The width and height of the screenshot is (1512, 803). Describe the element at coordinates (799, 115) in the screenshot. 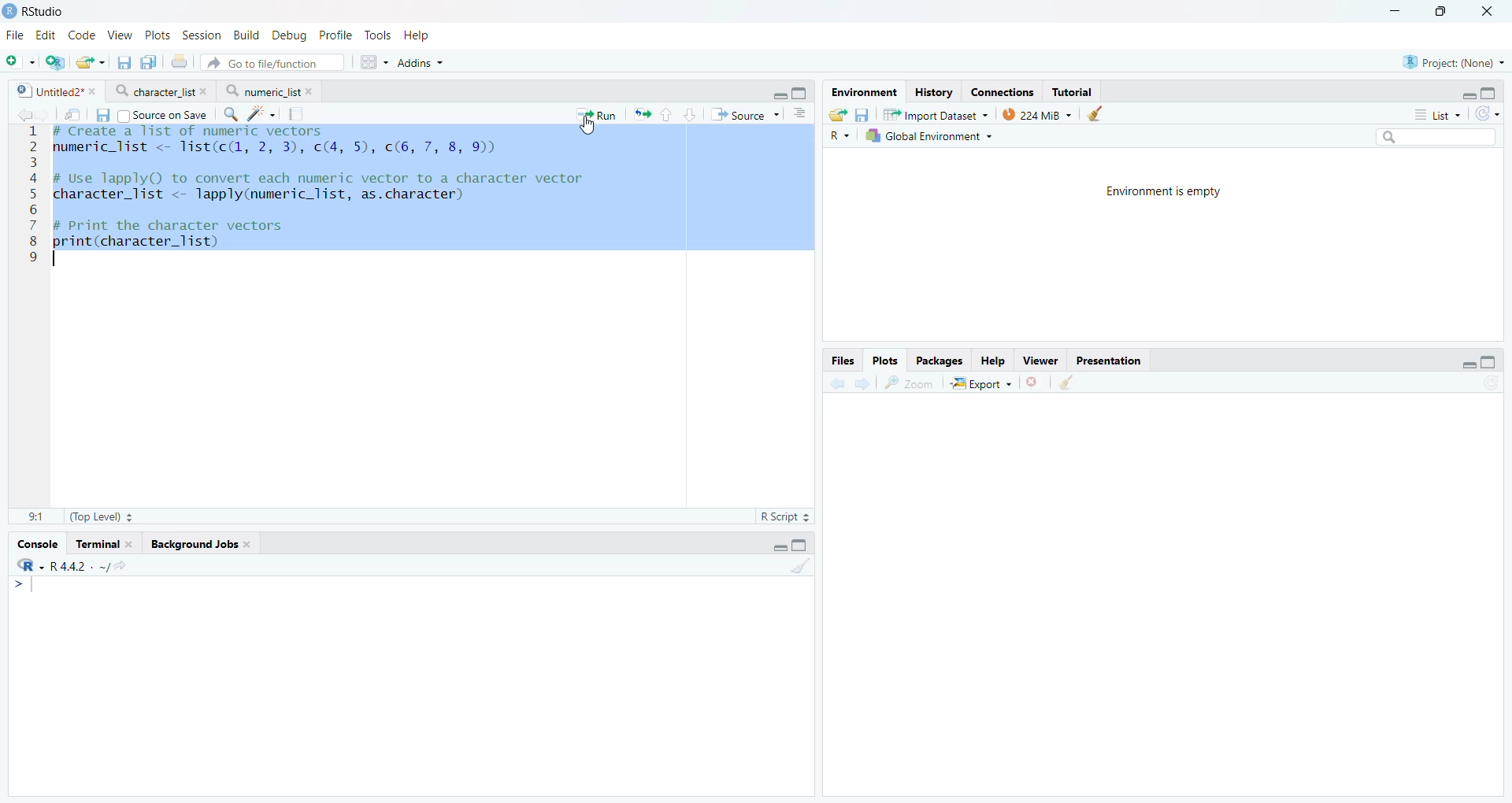

I see `Show document outline` at that location.